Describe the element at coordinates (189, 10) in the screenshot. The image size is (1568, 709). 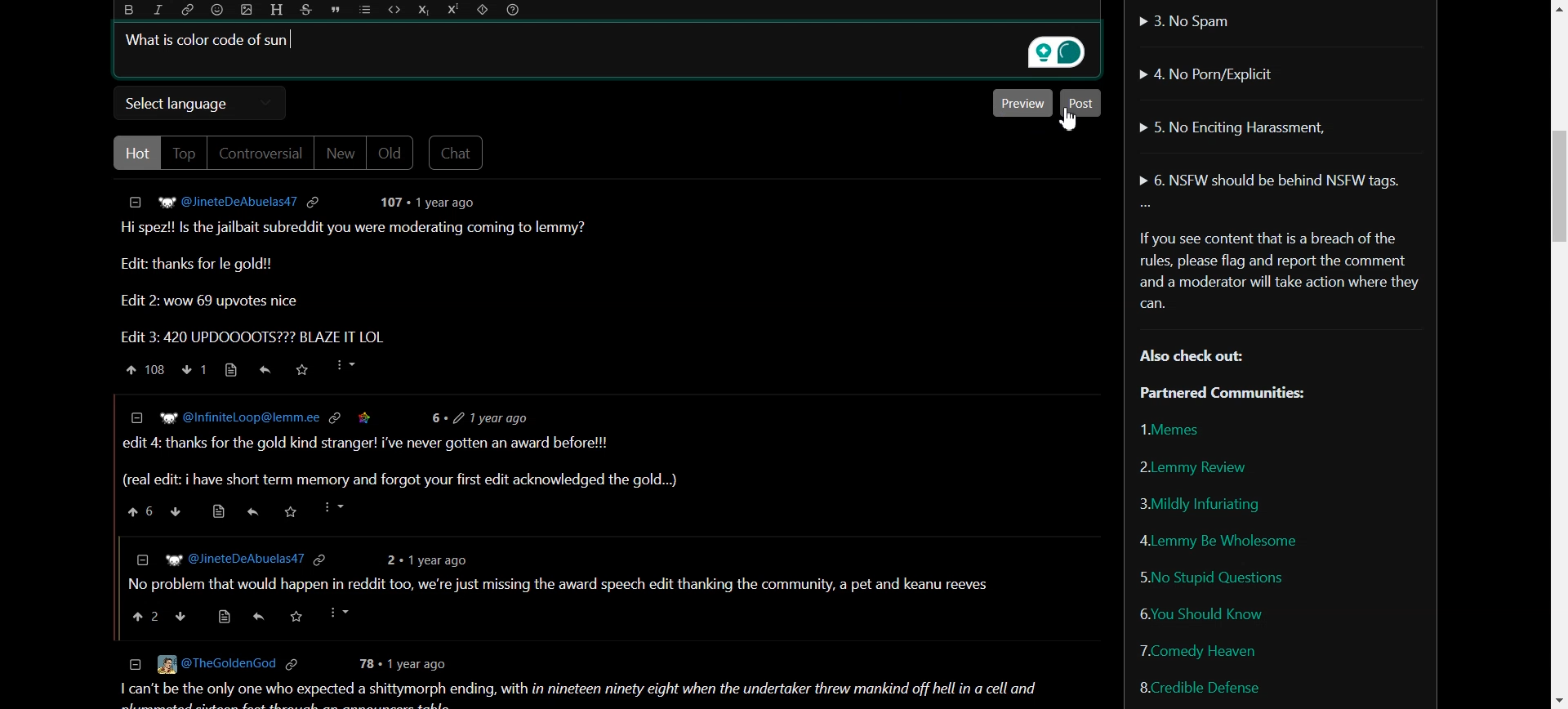
I see `Hyperlink` at that location.